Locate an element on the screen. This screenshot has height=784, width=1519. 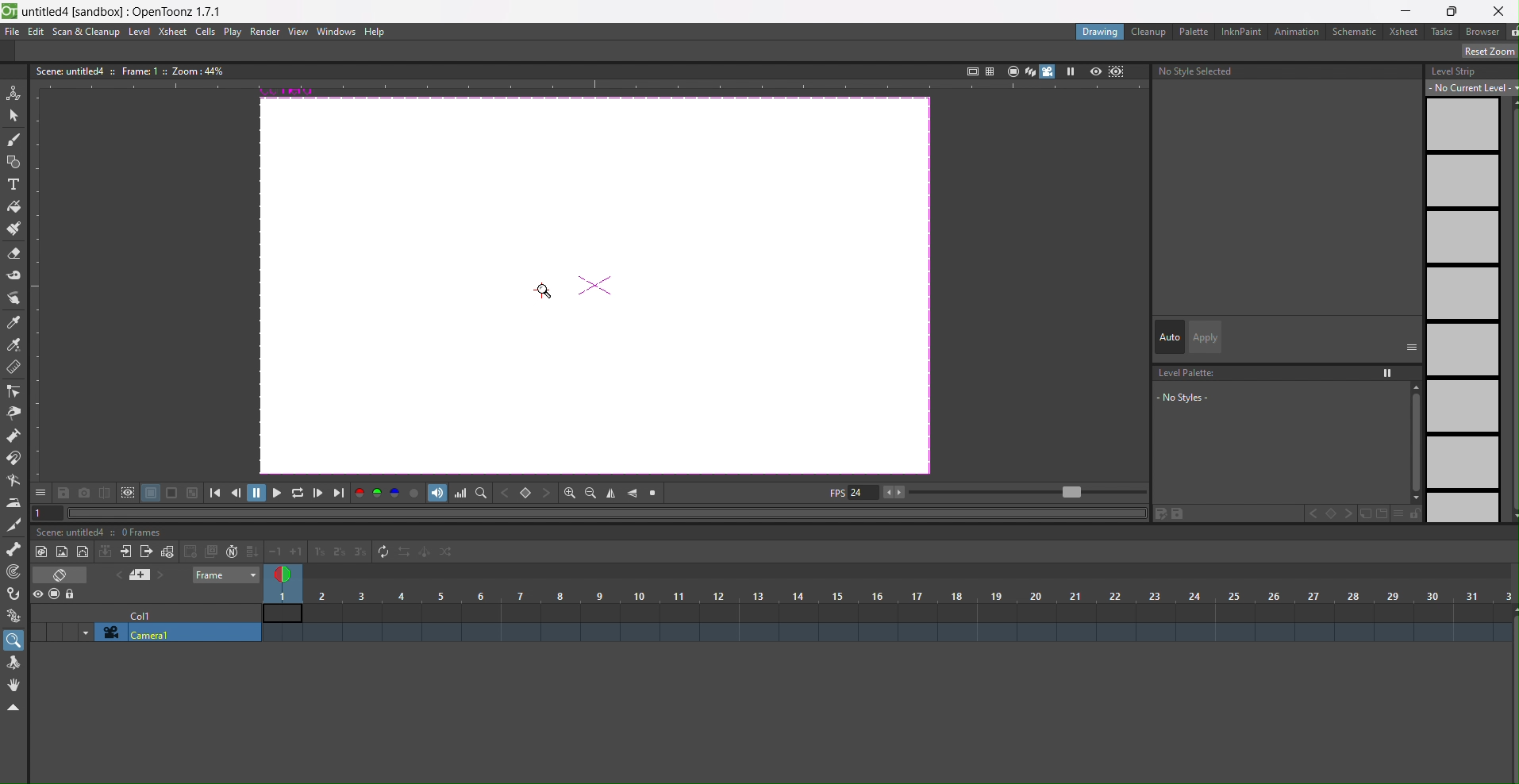
level is located at coordinates (140, 31).